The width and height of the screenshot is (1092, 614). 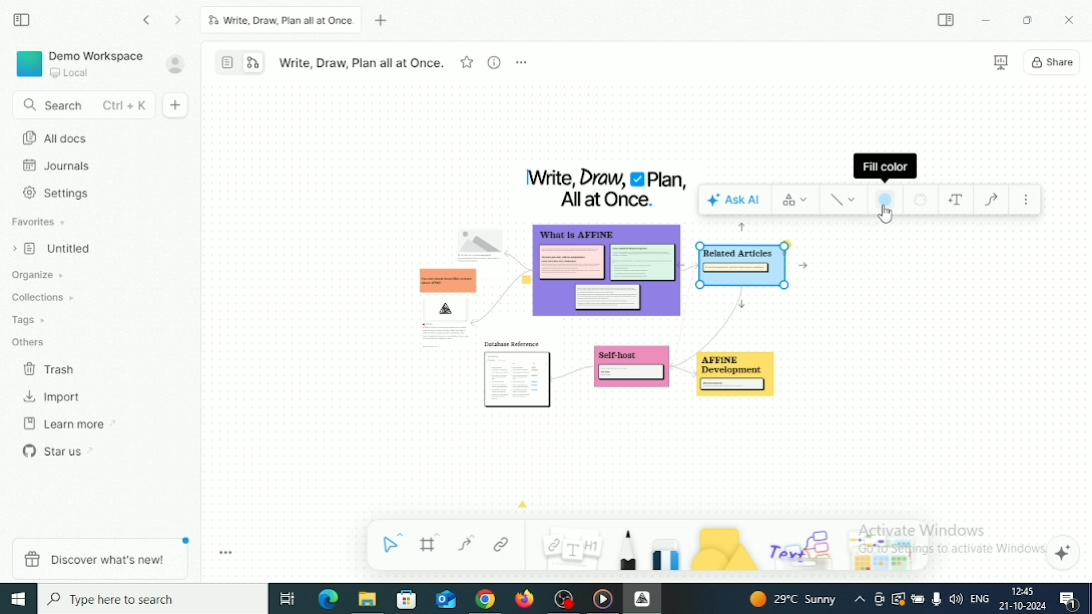 What do you see at coordinates (745, 267) in the screenshot?
I see `Selected sticky note` at bounding box center [745, 267].